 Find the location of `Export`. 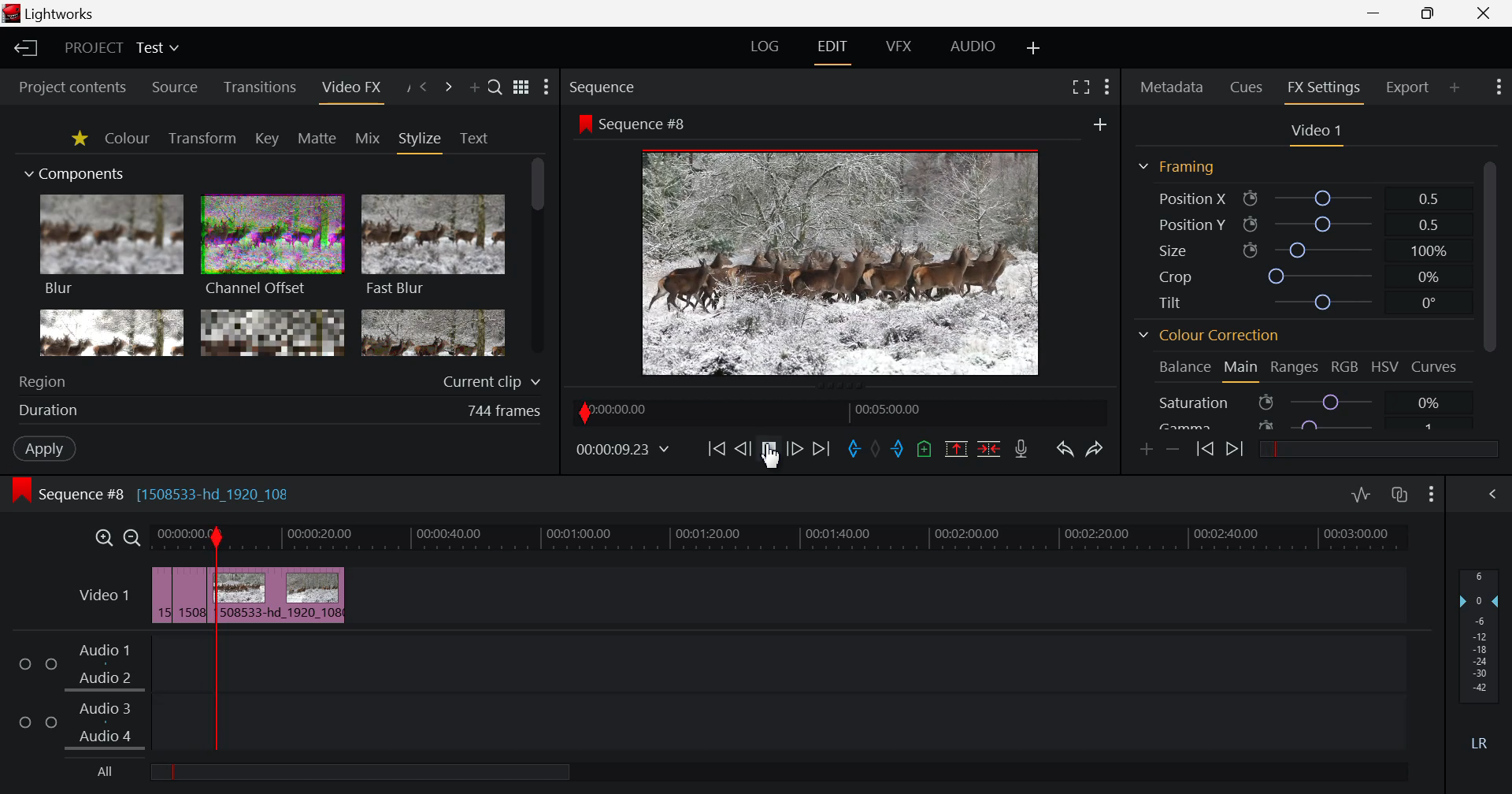

Export is located at coordinates (1409, 87).